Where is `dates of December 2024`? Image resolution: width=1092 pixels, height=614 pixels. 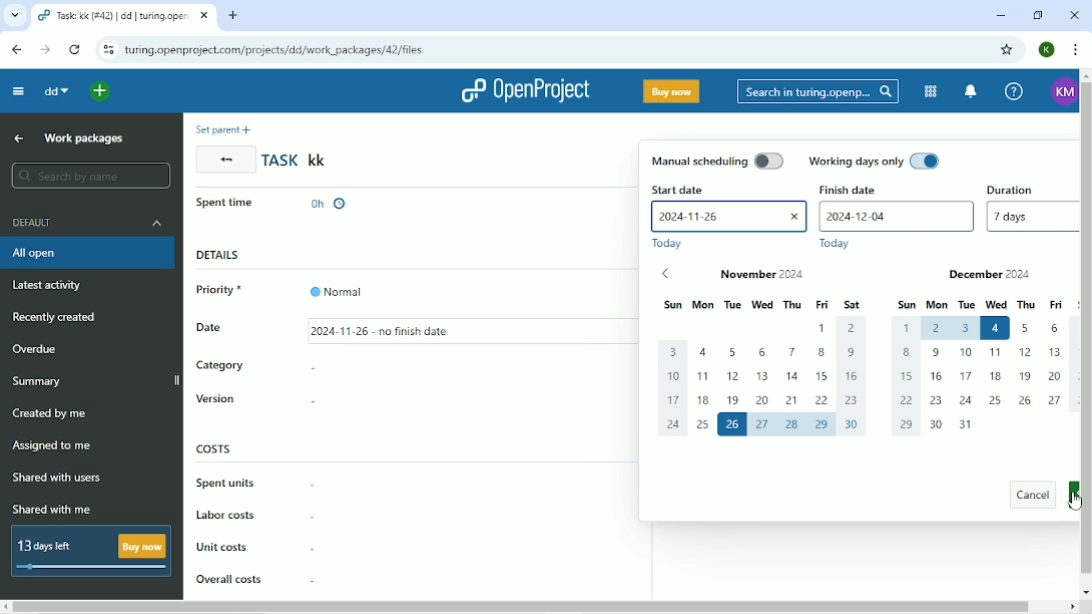 dates of December 2024 is located at coordinates (982, 376).